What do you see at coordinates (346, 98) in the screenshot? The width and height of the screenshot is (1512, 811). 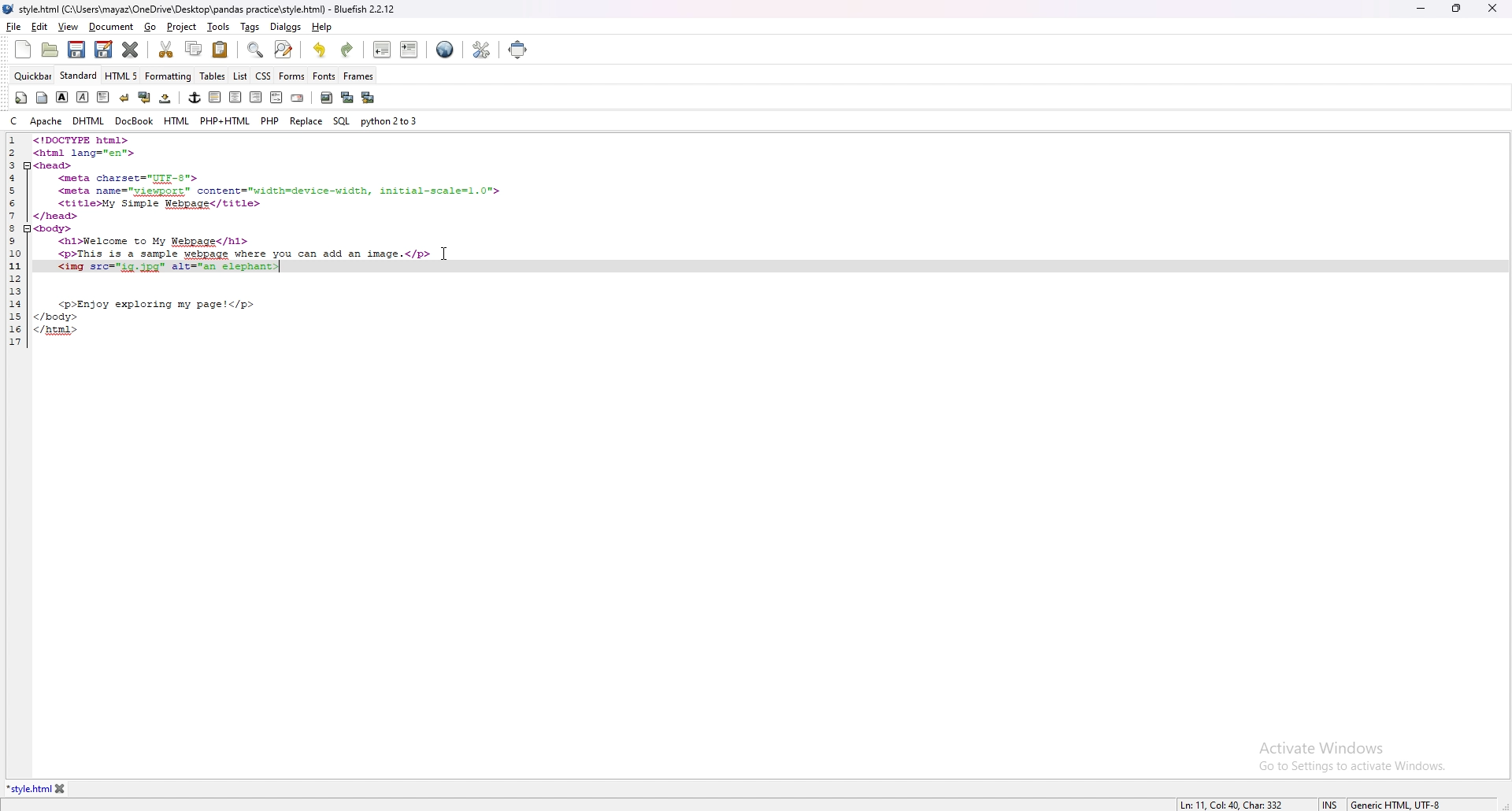 I see `insert thumbnail` at bounding box center [346, 98].